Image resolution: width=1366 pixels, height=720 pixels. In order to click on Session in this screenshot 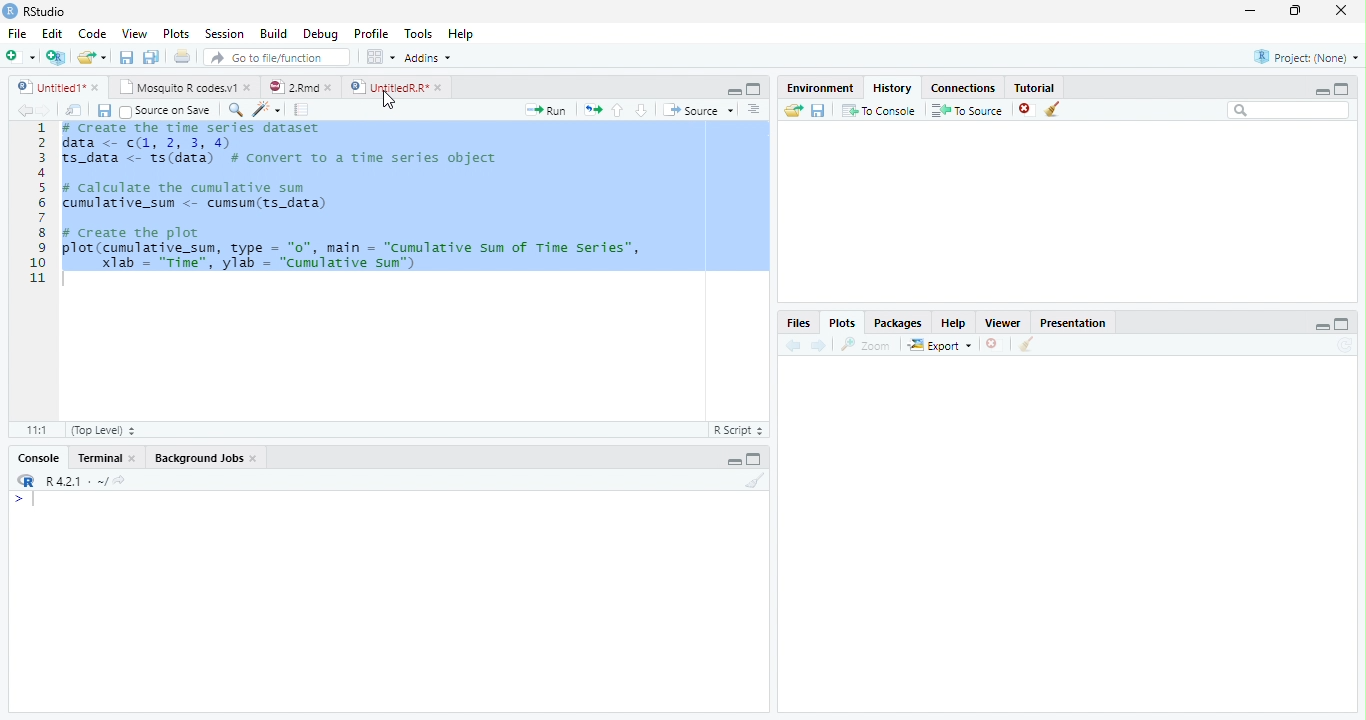, I will do `click(224, 34)`.